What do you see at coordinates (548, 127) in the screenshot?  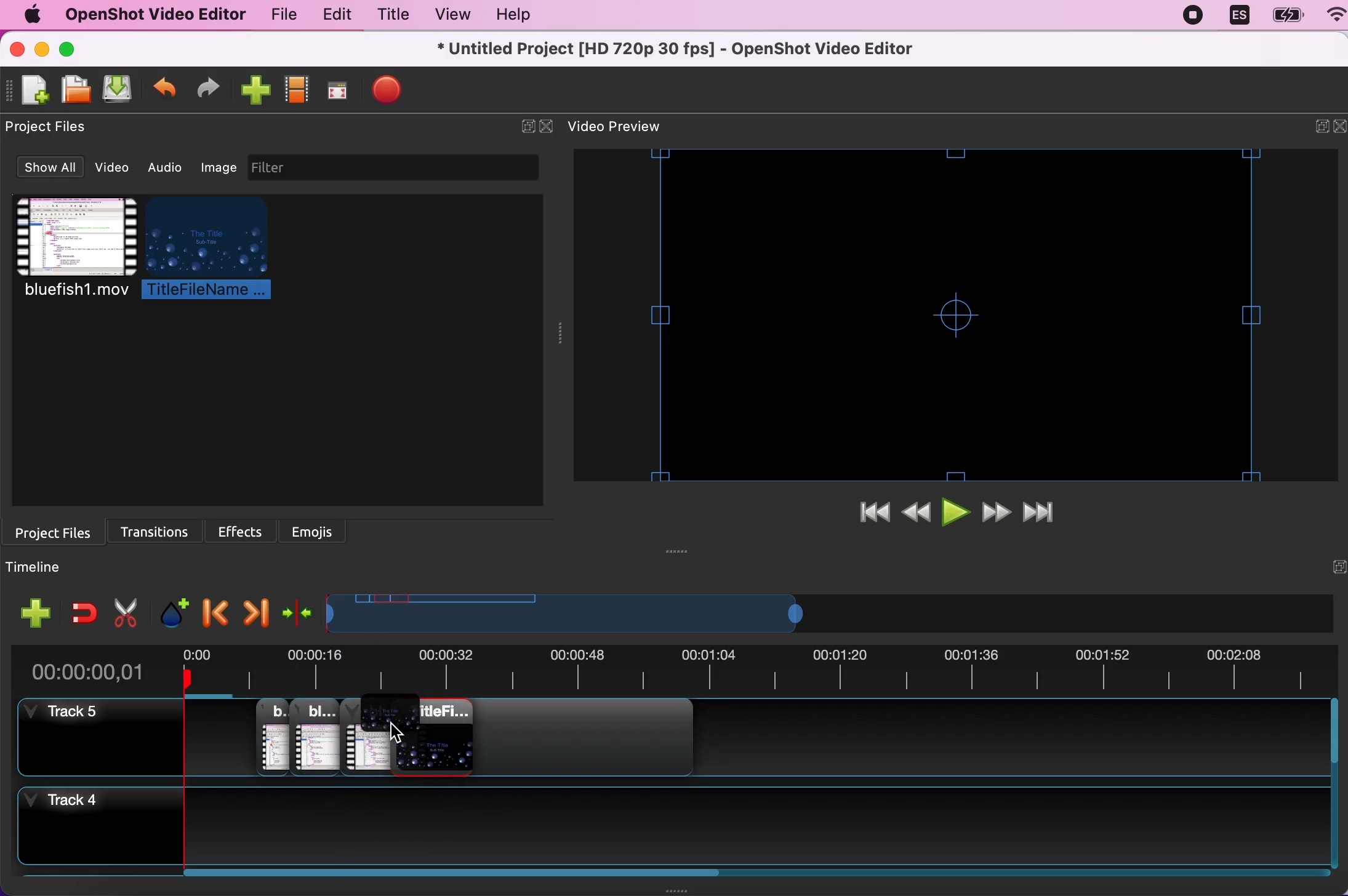 I see `close` at bounding box center [548, 127].